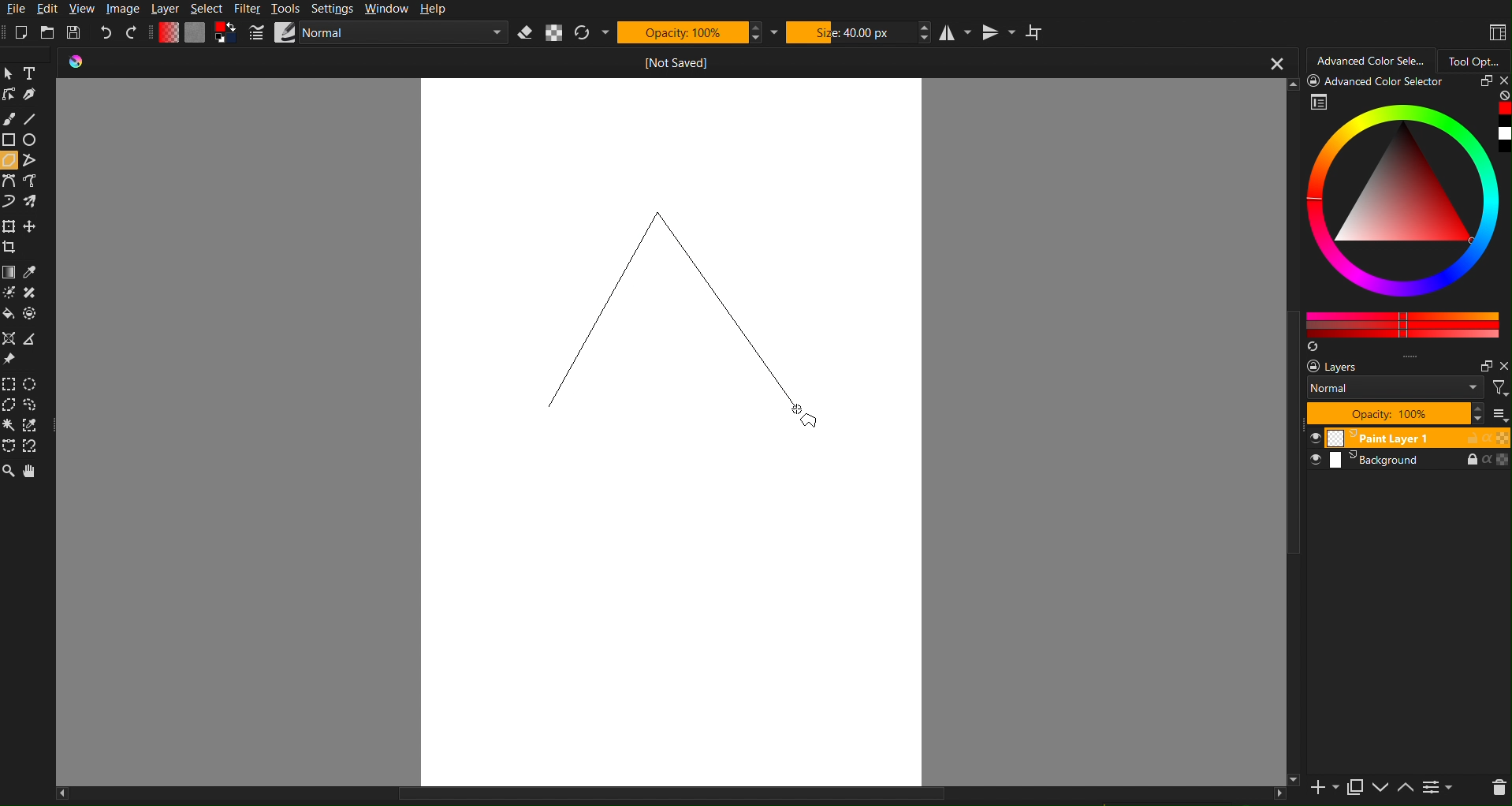  I want to click on crop the image to an area, so click(10, 248).